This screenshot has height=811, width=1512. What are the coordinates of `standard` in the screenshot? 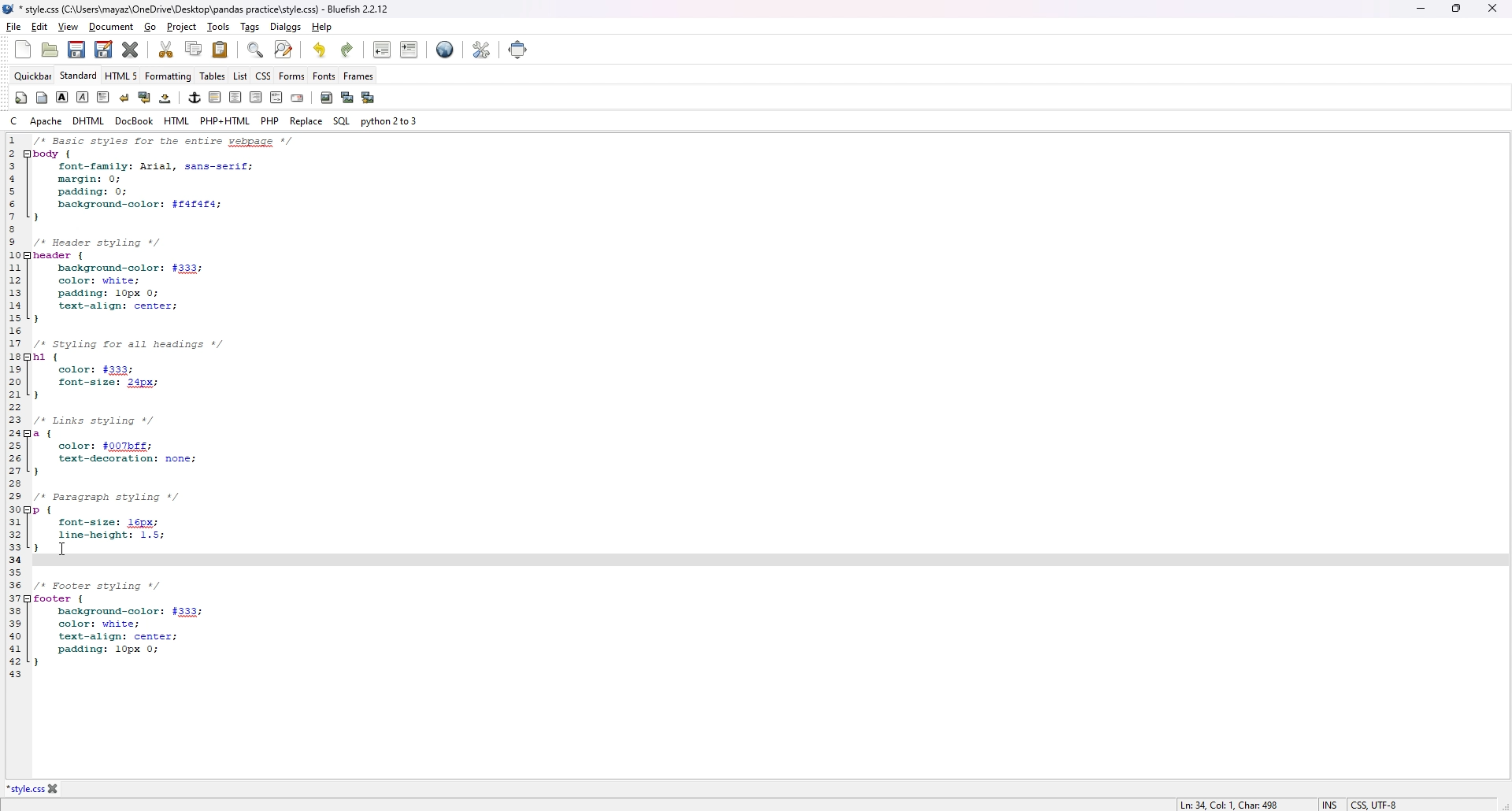 It's located at (80, 76).